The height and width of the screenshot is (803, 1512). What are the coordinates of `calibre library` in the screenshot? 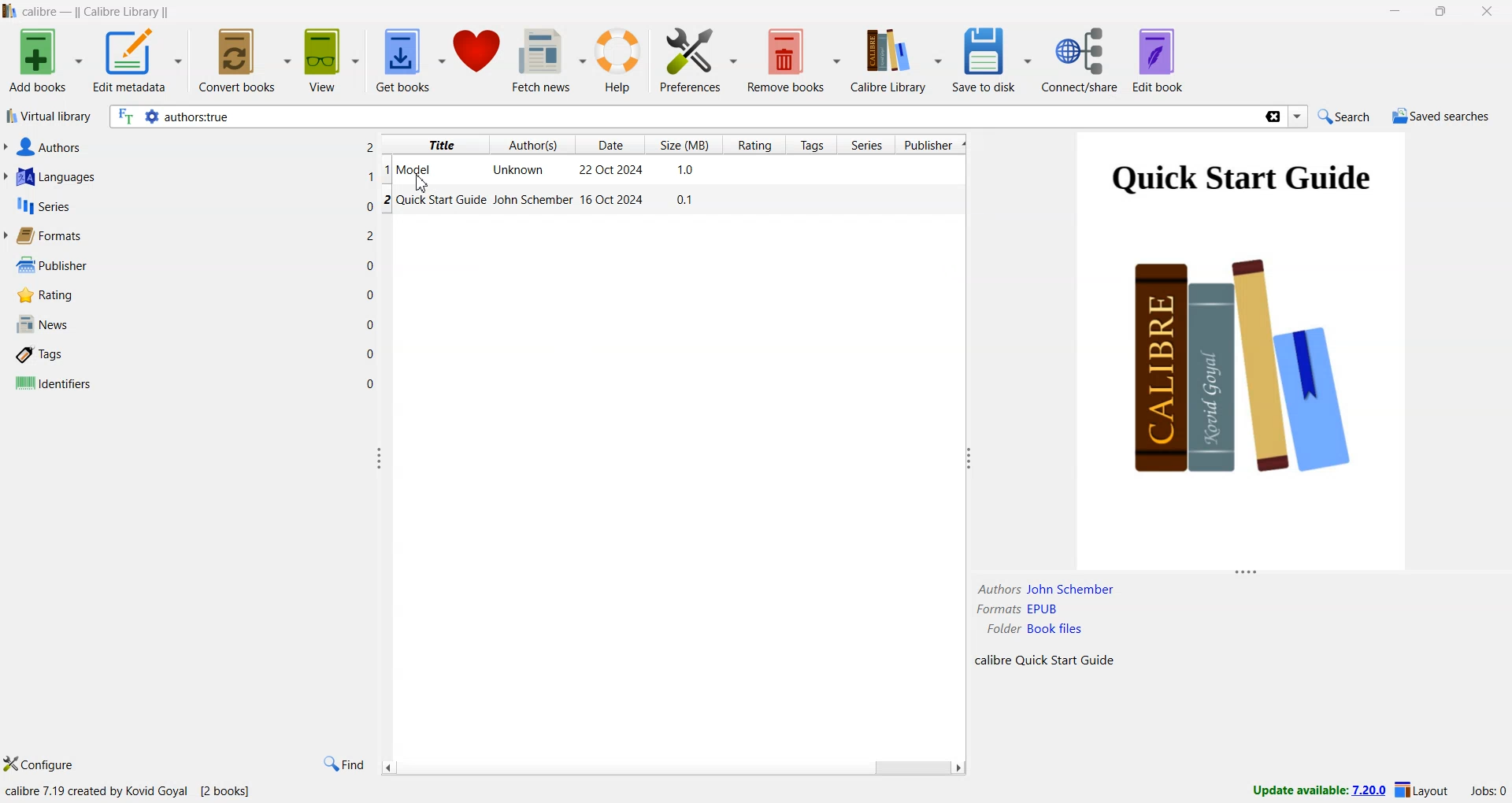 It's located at (899, 60).